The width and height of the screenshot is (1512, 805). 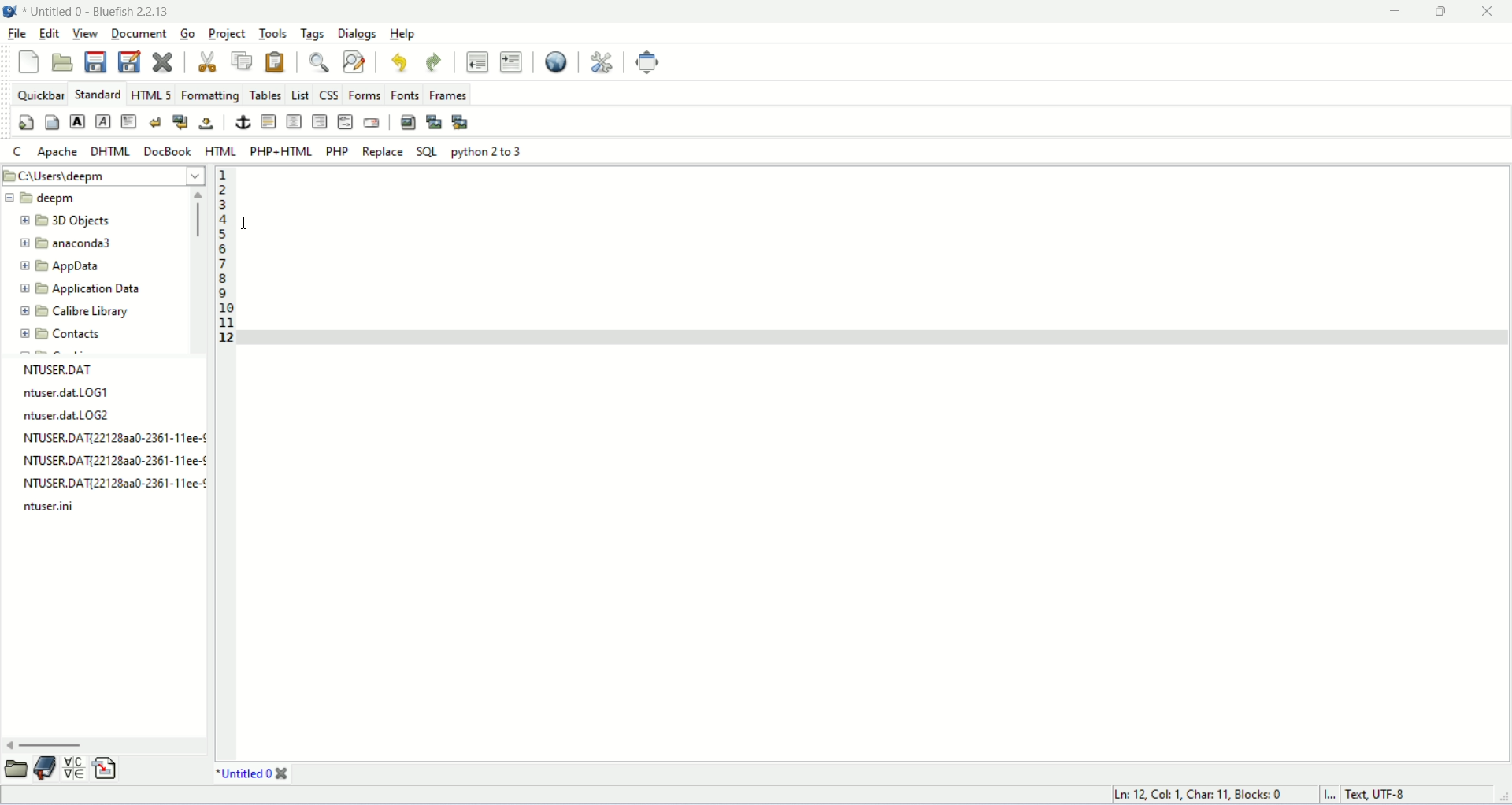 What do you see at coordinates (38, 92) in the screenshot?
I see `quick bar` at bounding box center [38, 92].